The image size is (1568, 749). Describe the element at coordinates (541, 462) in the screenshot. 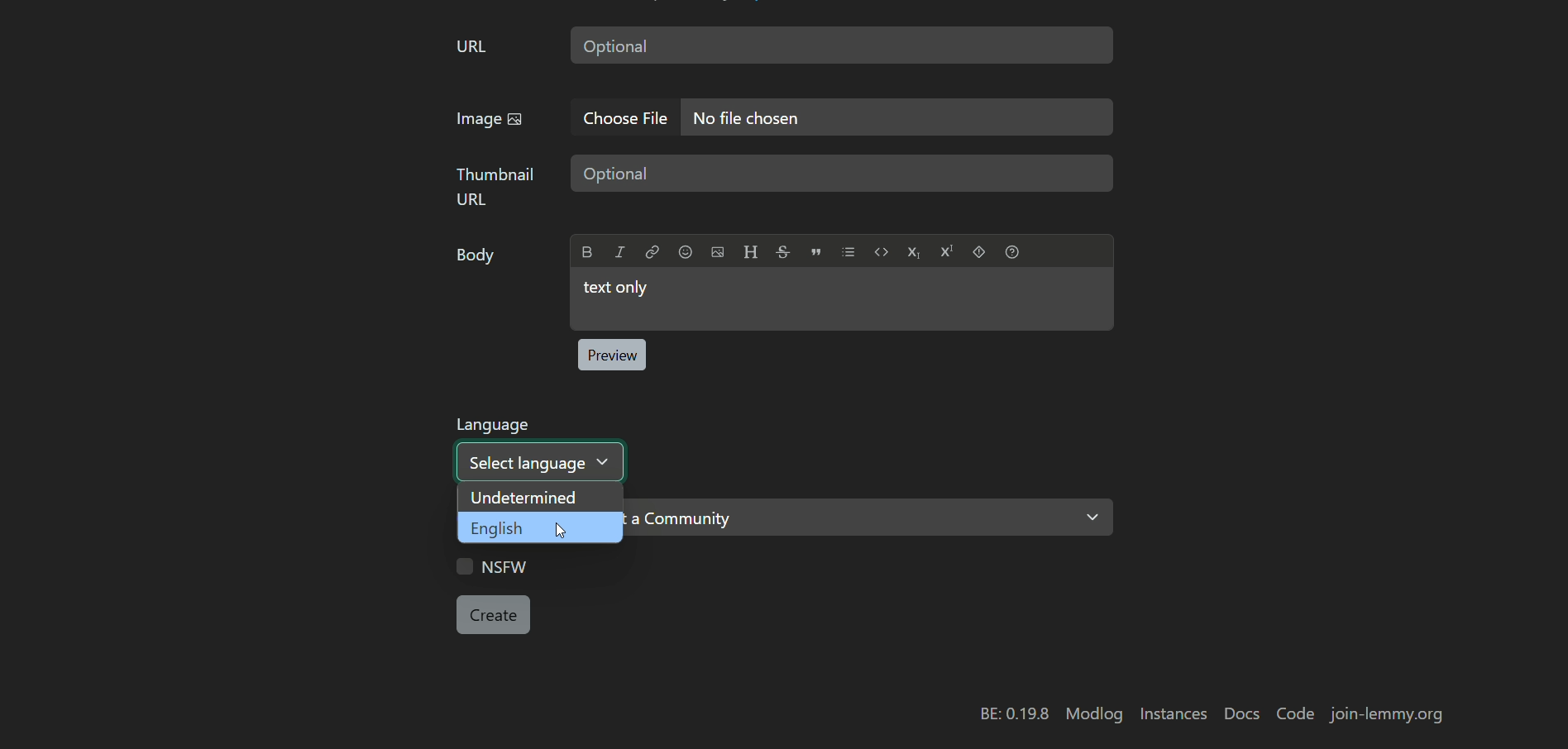

I see `Select language` at that location.